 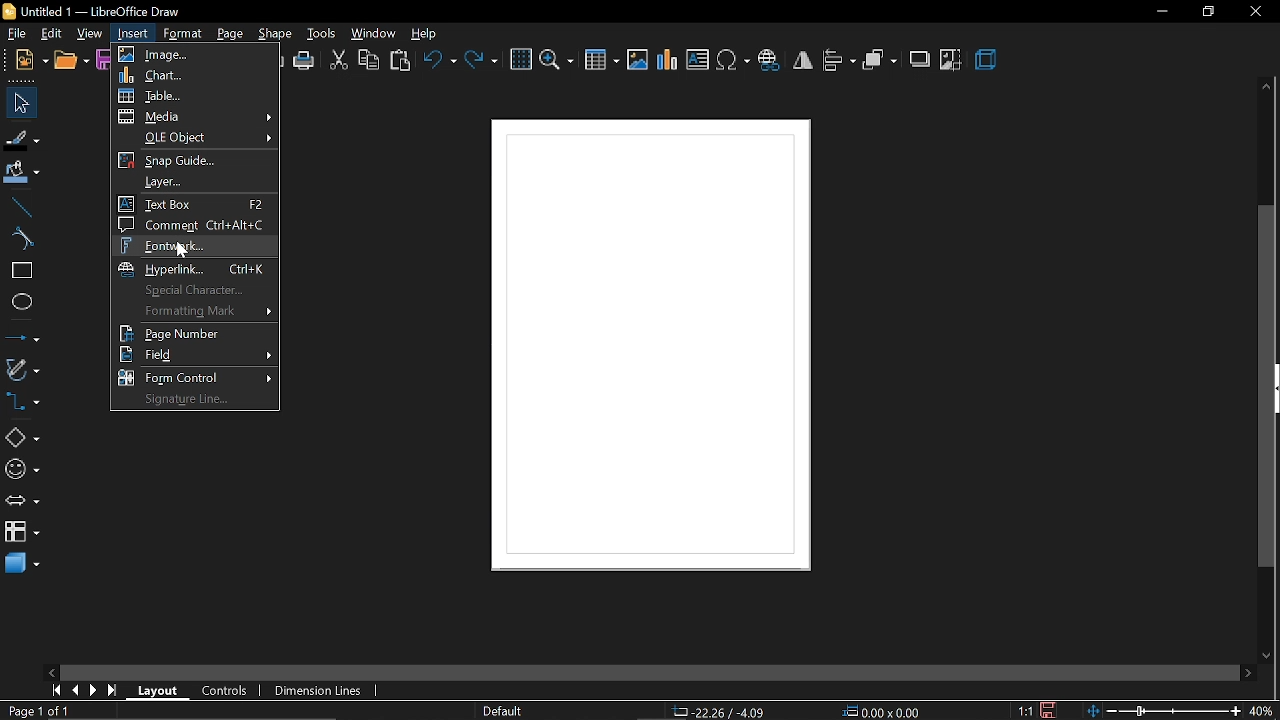 I want to click on undo, so click(x=439, y=62).